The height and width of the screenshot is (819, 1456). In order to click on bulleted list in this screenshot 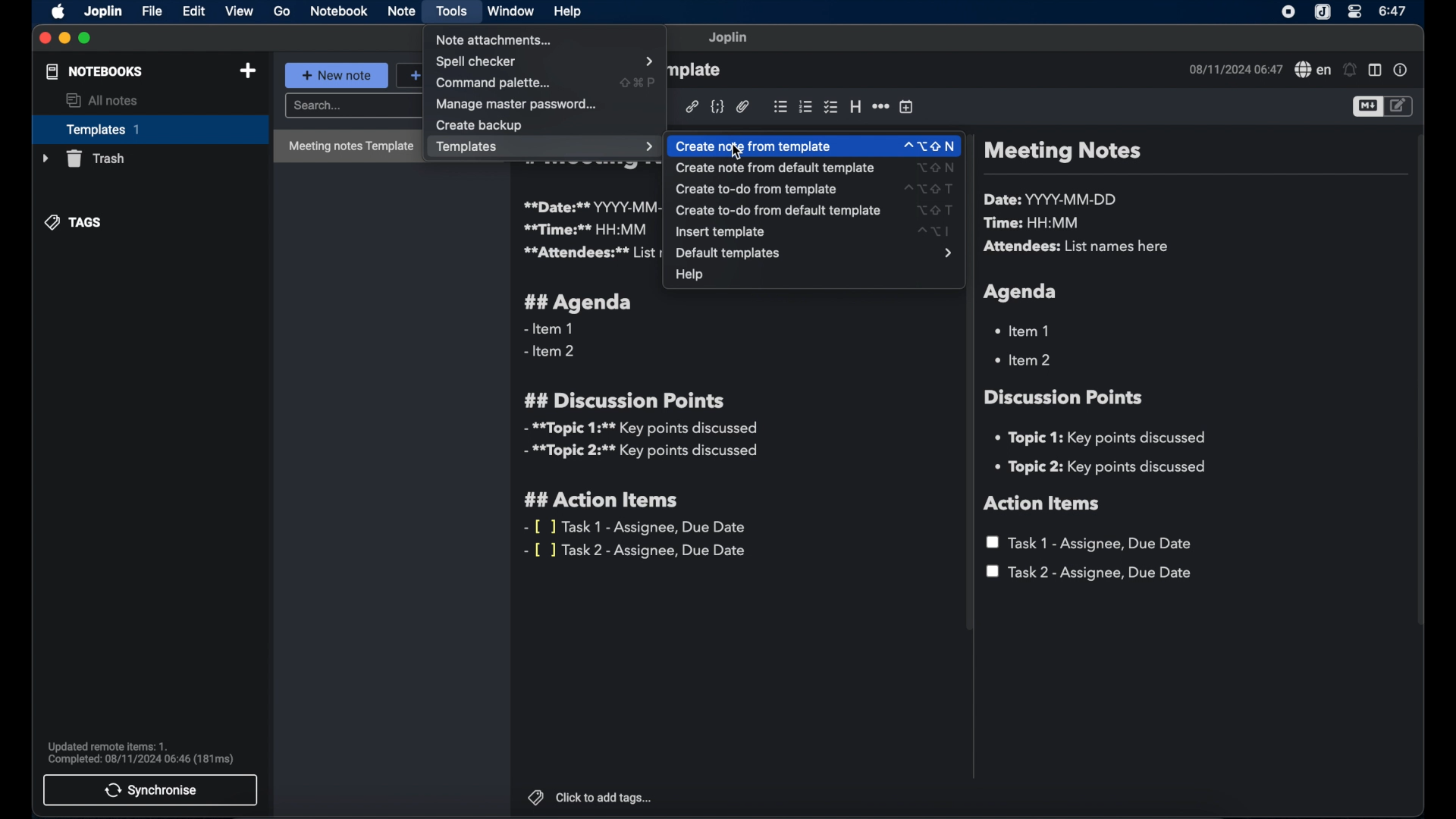, I will do `click(780, 105)`.